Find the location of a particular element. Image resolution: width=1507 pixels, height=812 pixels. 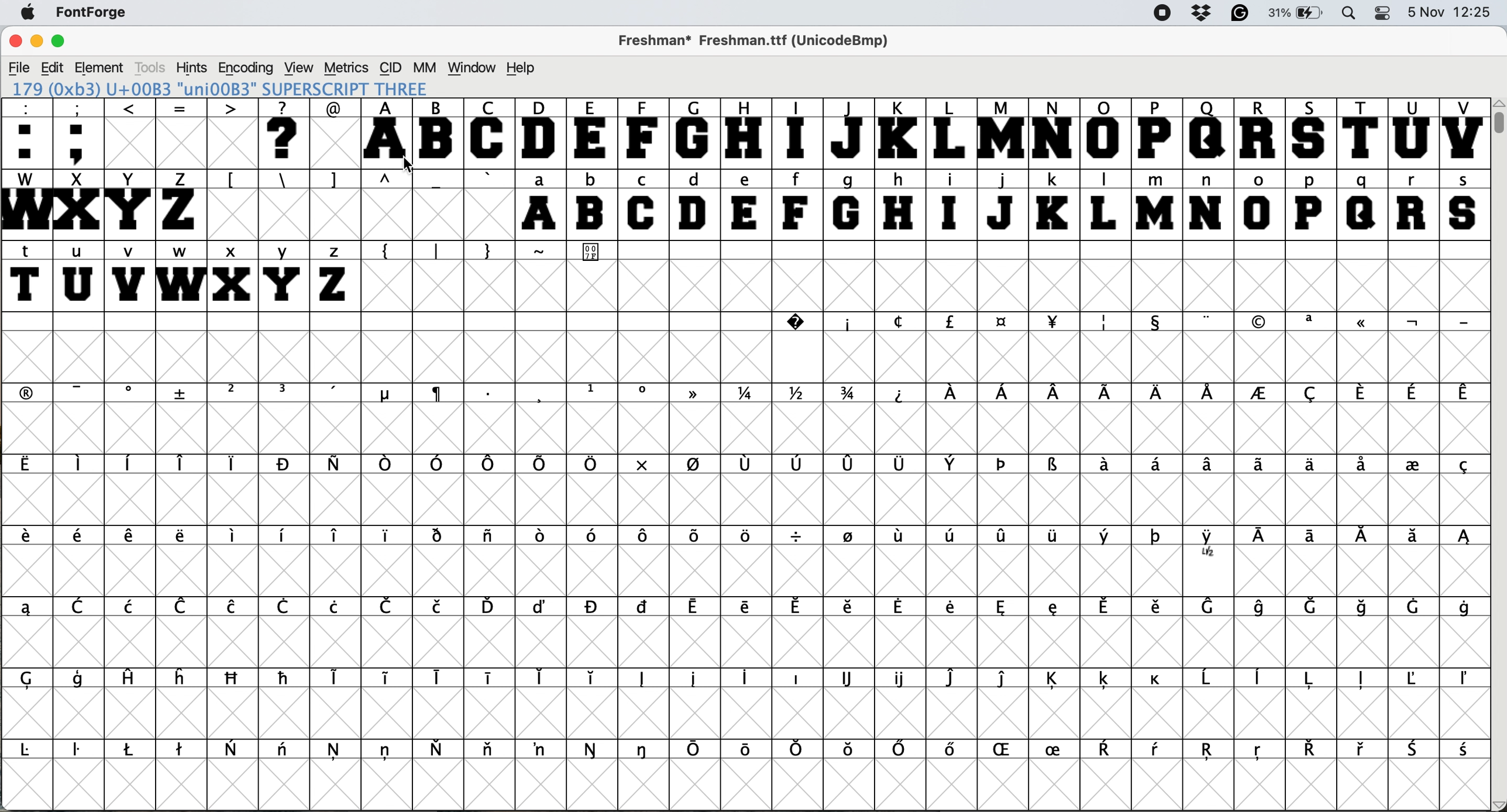

symbol is located at coordinates (80, 681).